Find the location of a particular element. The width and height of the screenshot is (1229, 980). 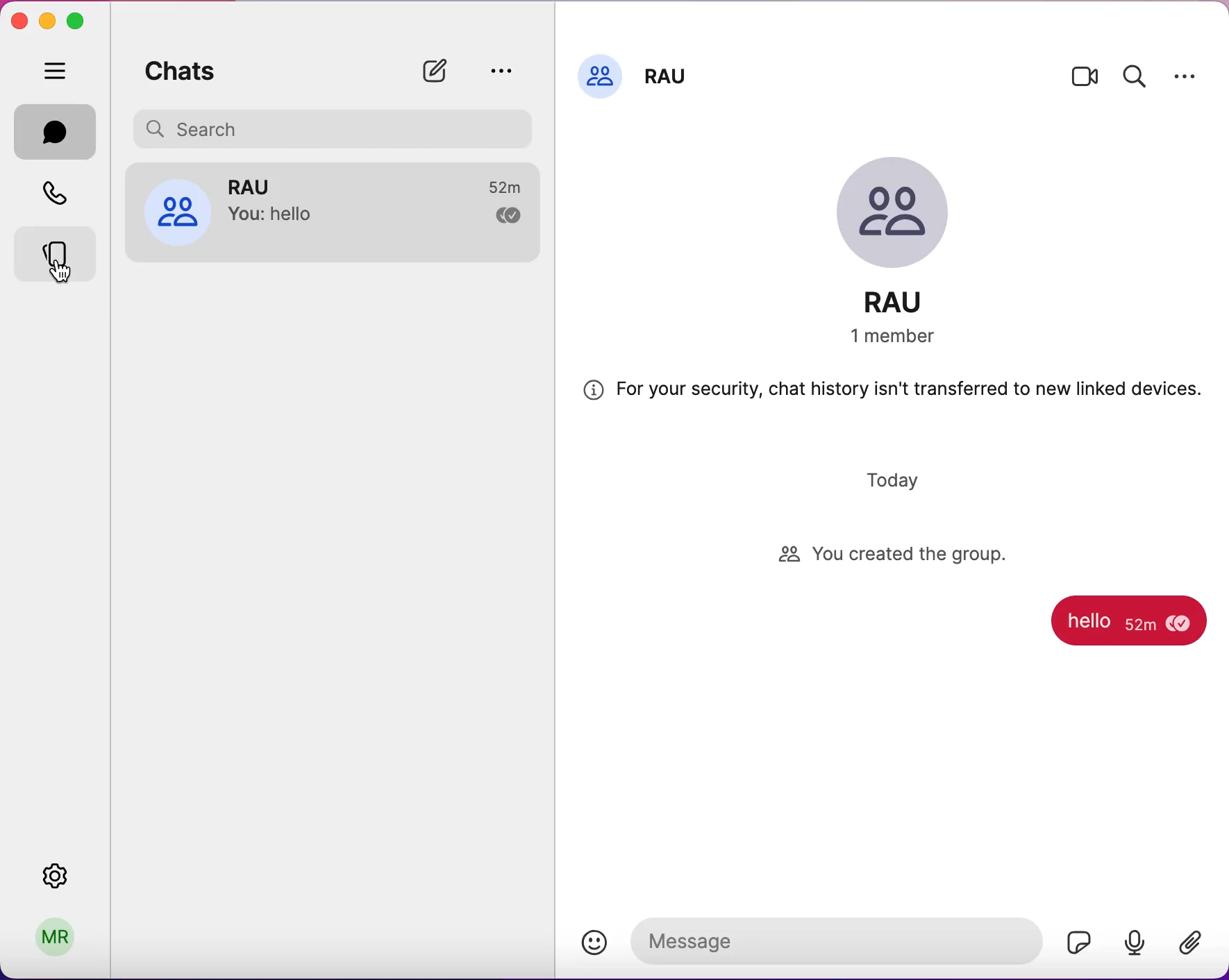

group name is located at coordinates (910, 302).